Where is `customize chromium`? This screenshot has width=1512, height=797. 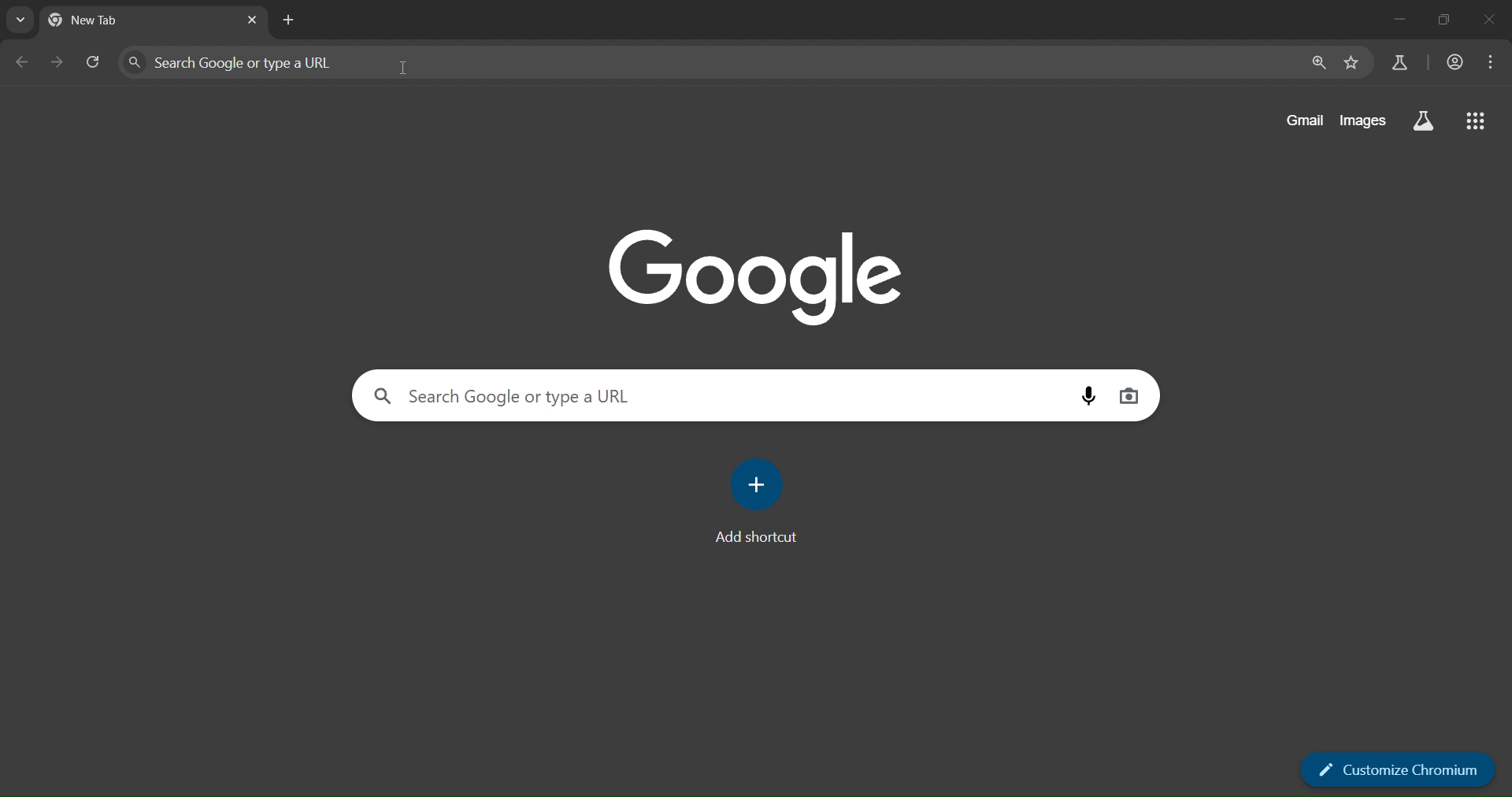
customize chromium is located at coordinates (1399, 767).